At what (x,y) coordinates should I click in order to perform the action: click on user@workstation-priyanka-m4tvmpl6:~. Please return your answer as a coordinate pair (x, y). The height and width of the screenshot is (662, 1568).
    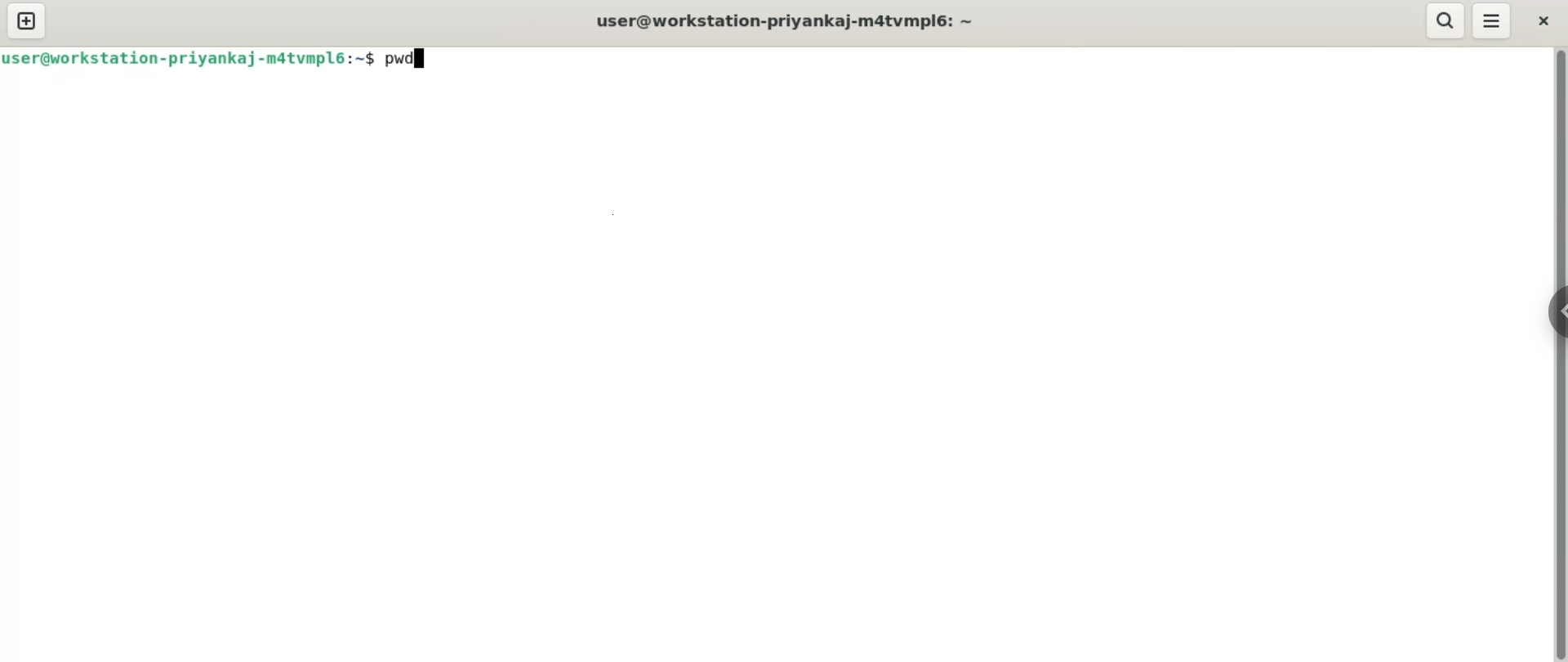
    Looking at the image, I should click on (791, 23).